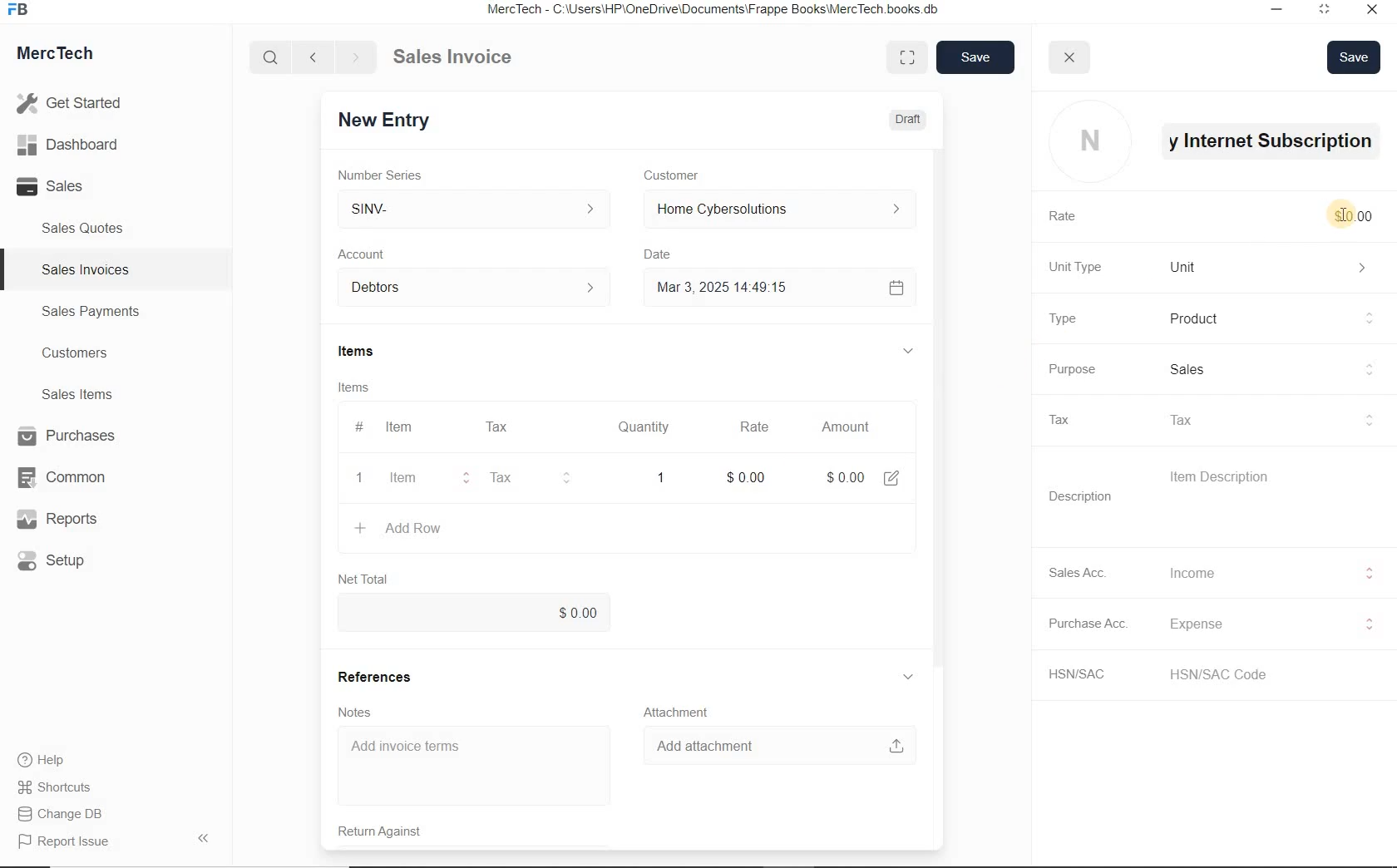  What do you see at coordinates (719, 289) in the screenshot?
I see `Mar 3, 2025 14:49:15` at bounding box center [719, 289].